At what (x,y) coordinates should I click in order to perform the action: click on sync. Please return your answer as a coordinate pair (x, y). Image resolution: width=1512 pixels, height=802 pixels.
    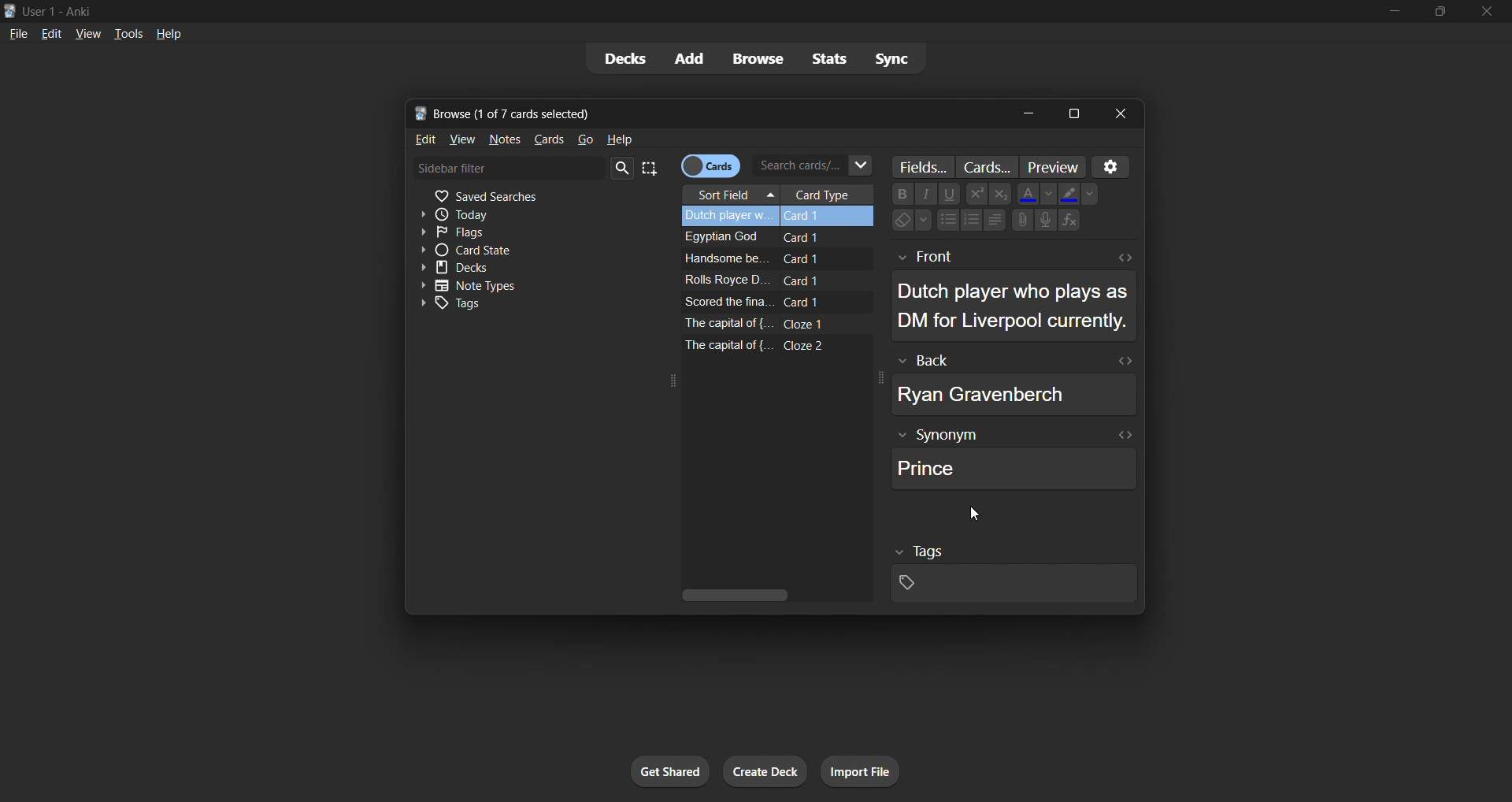
    Looking at the image, I should click on (896, 58).